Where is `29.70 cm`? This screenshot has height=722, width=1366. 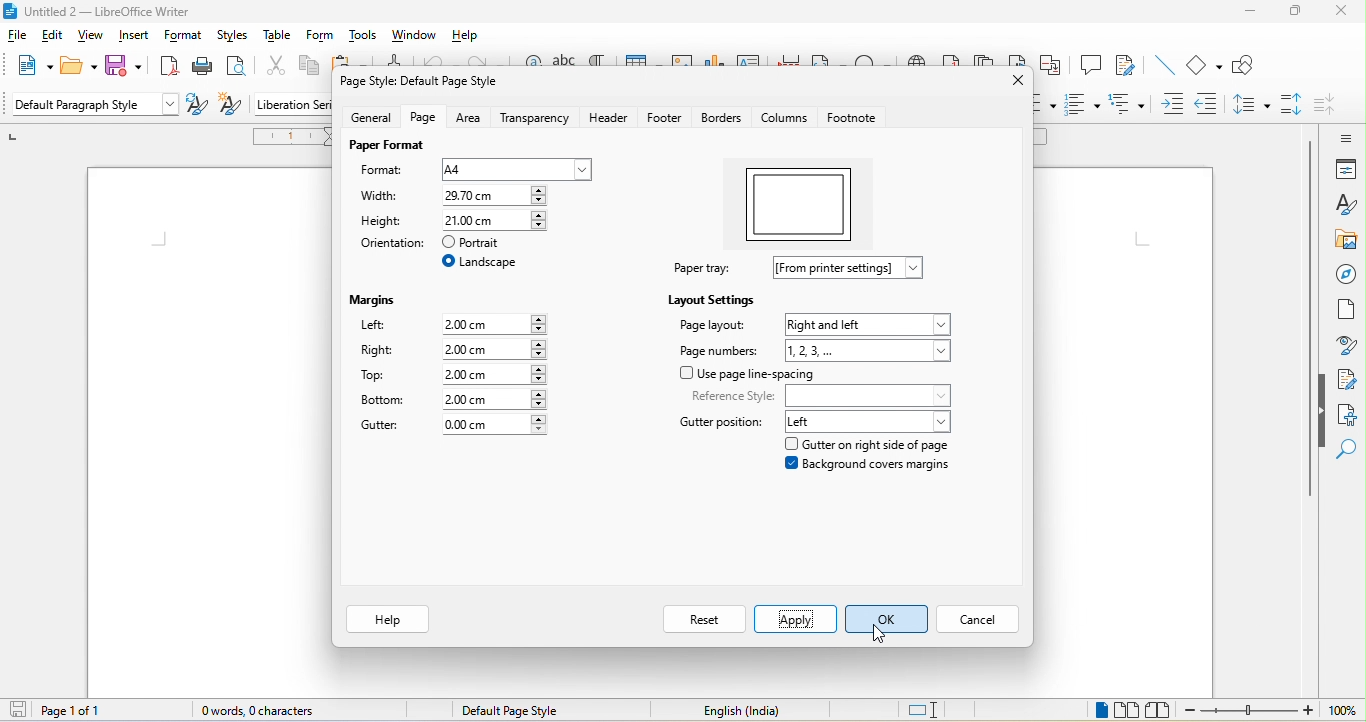
29.70 cm is located at coordinates (497, 220).